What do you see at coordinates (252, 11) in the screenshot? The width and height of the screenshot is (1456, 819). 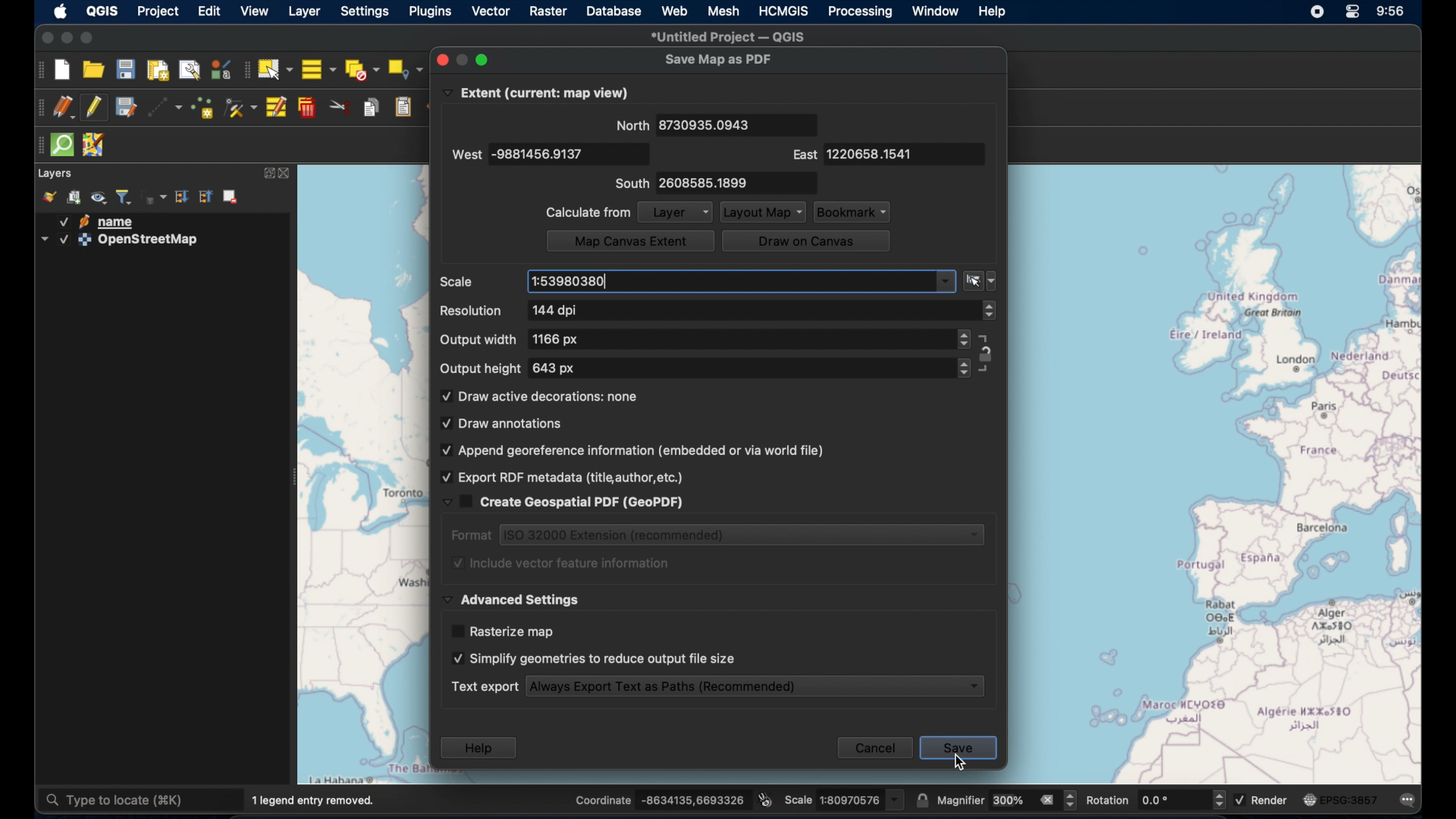 I see `view` at bounding box center [252, 11].